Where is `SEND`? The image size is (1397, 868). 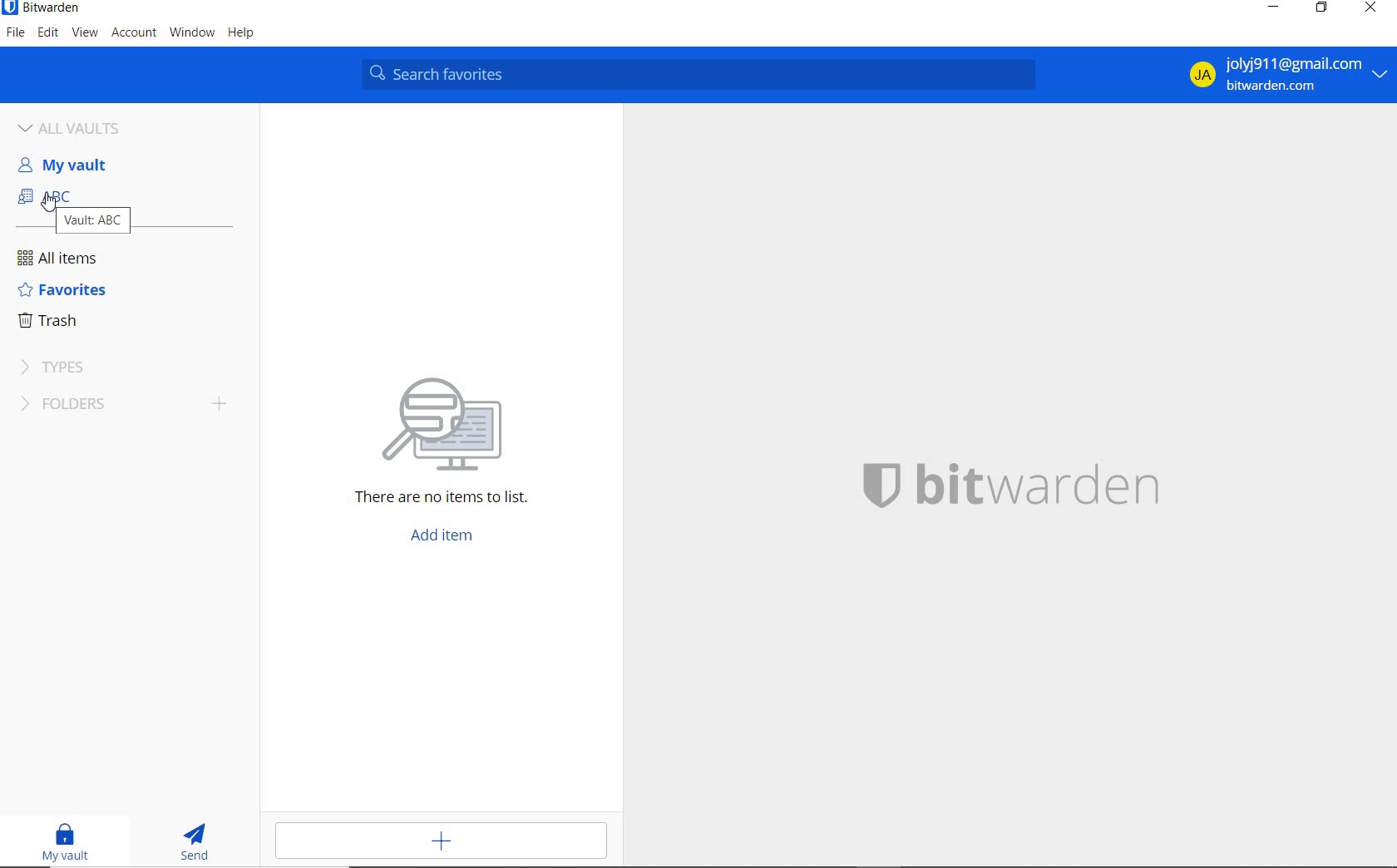
SEND is located at coordinates (200, 844).